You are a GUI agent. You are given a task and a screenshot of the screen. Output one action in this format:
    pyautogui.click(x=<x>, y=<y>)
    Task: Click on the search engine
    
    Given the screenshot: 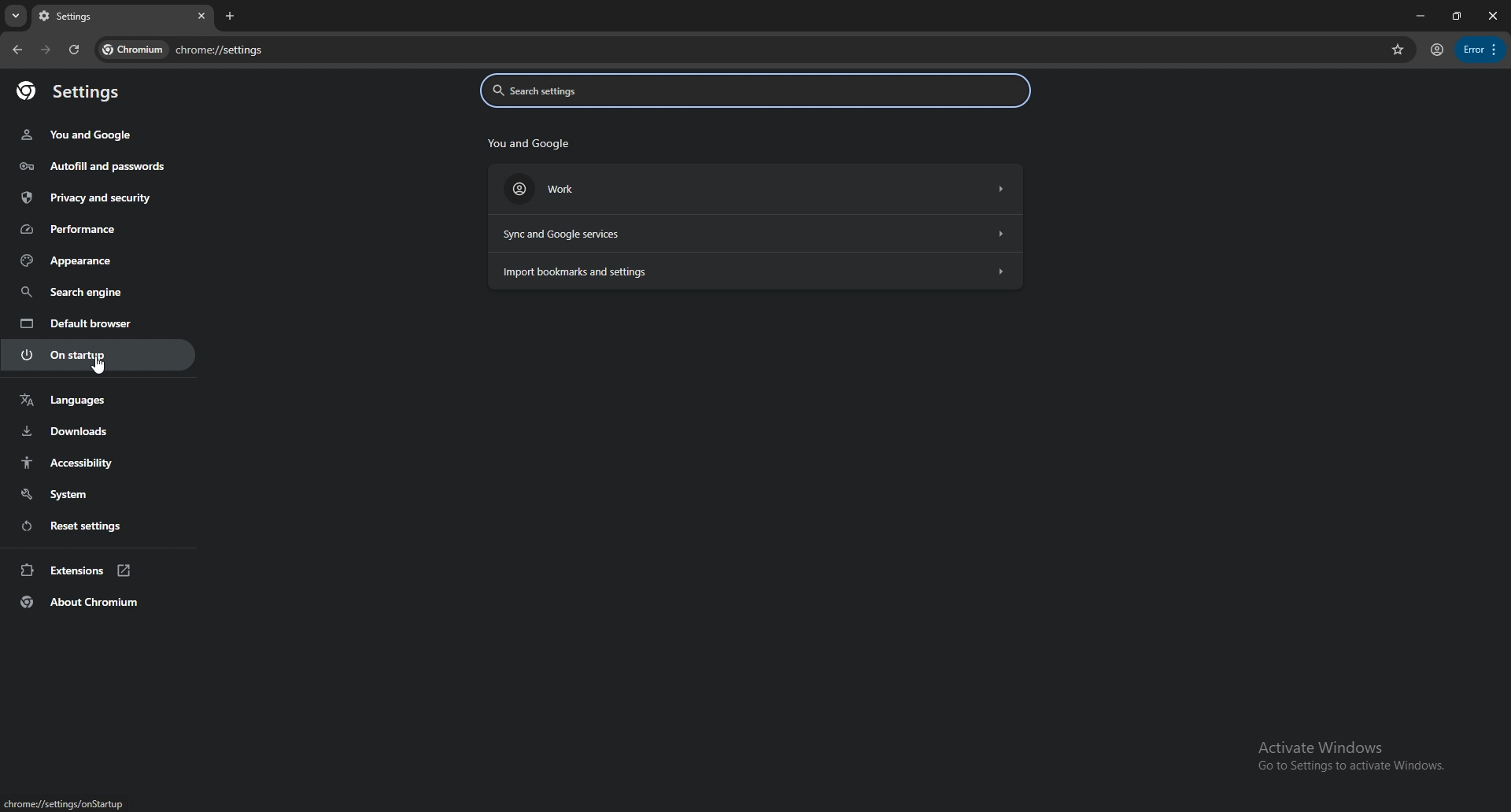 What is the action you would take?
    pyautogui.click(x=98, y=291)
    